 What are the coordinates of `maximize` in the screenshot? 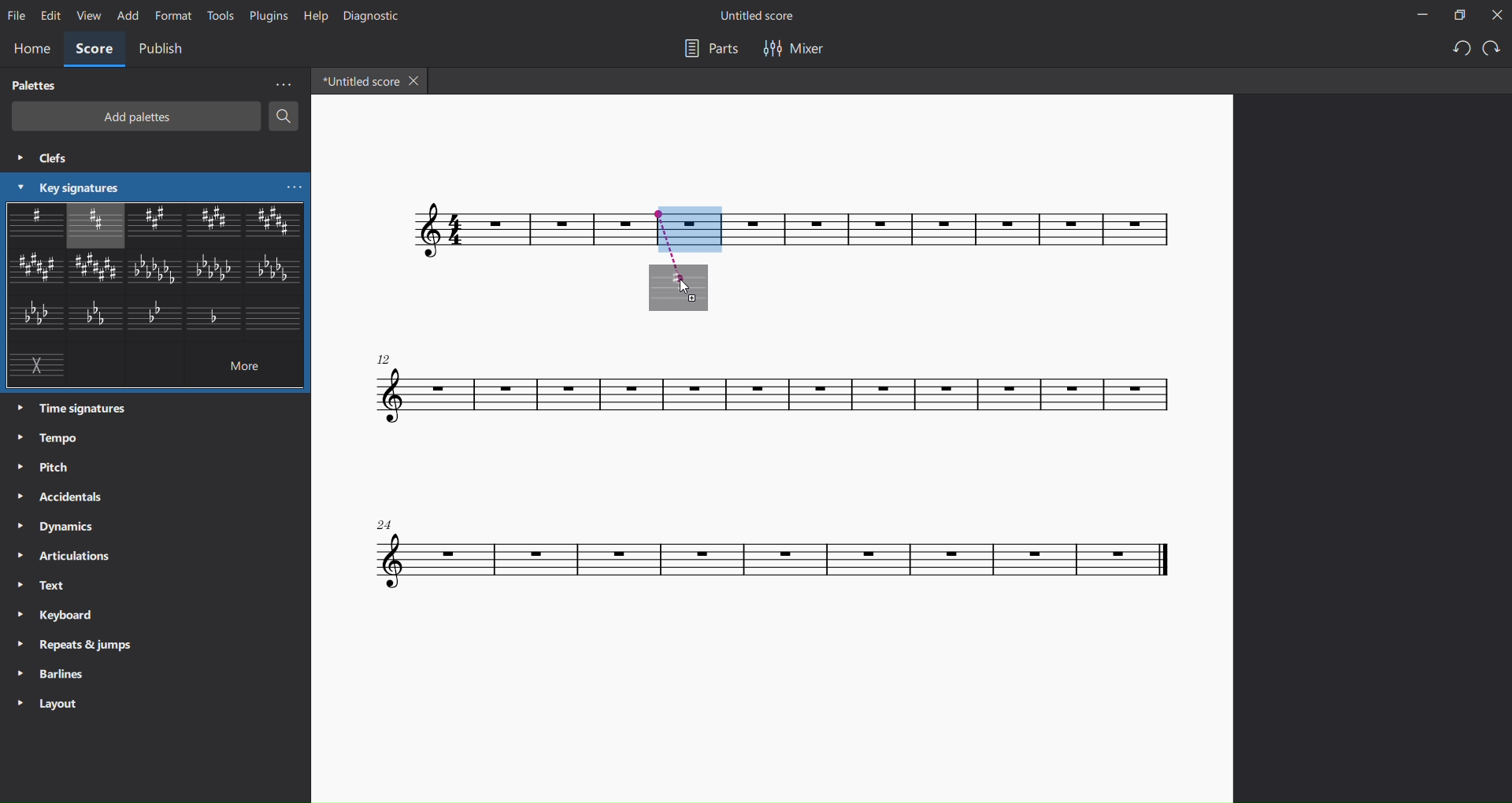 It's located at (1458, 16).